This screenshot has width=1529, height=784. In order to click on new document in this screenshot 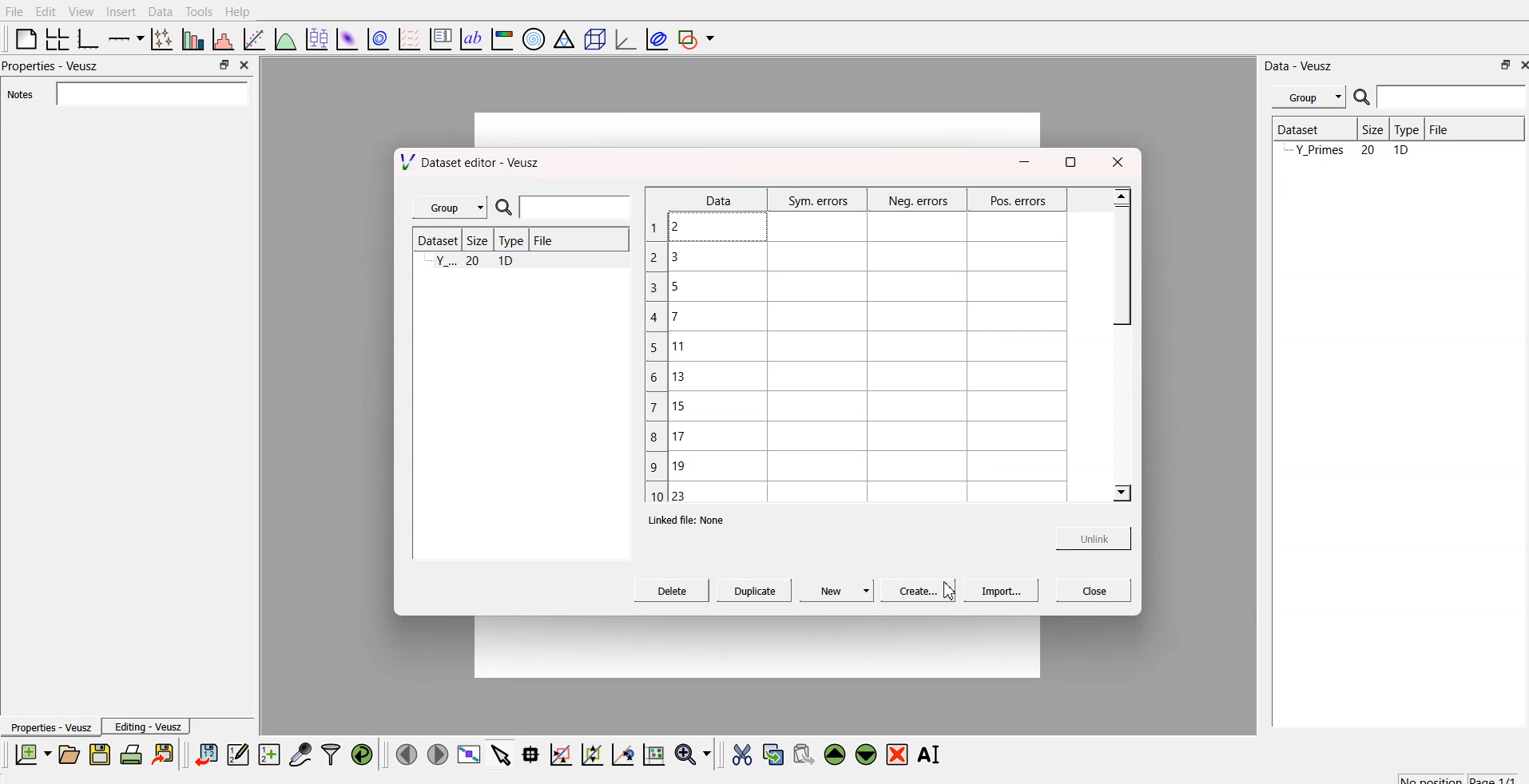, I will do `click(30, 754)`.